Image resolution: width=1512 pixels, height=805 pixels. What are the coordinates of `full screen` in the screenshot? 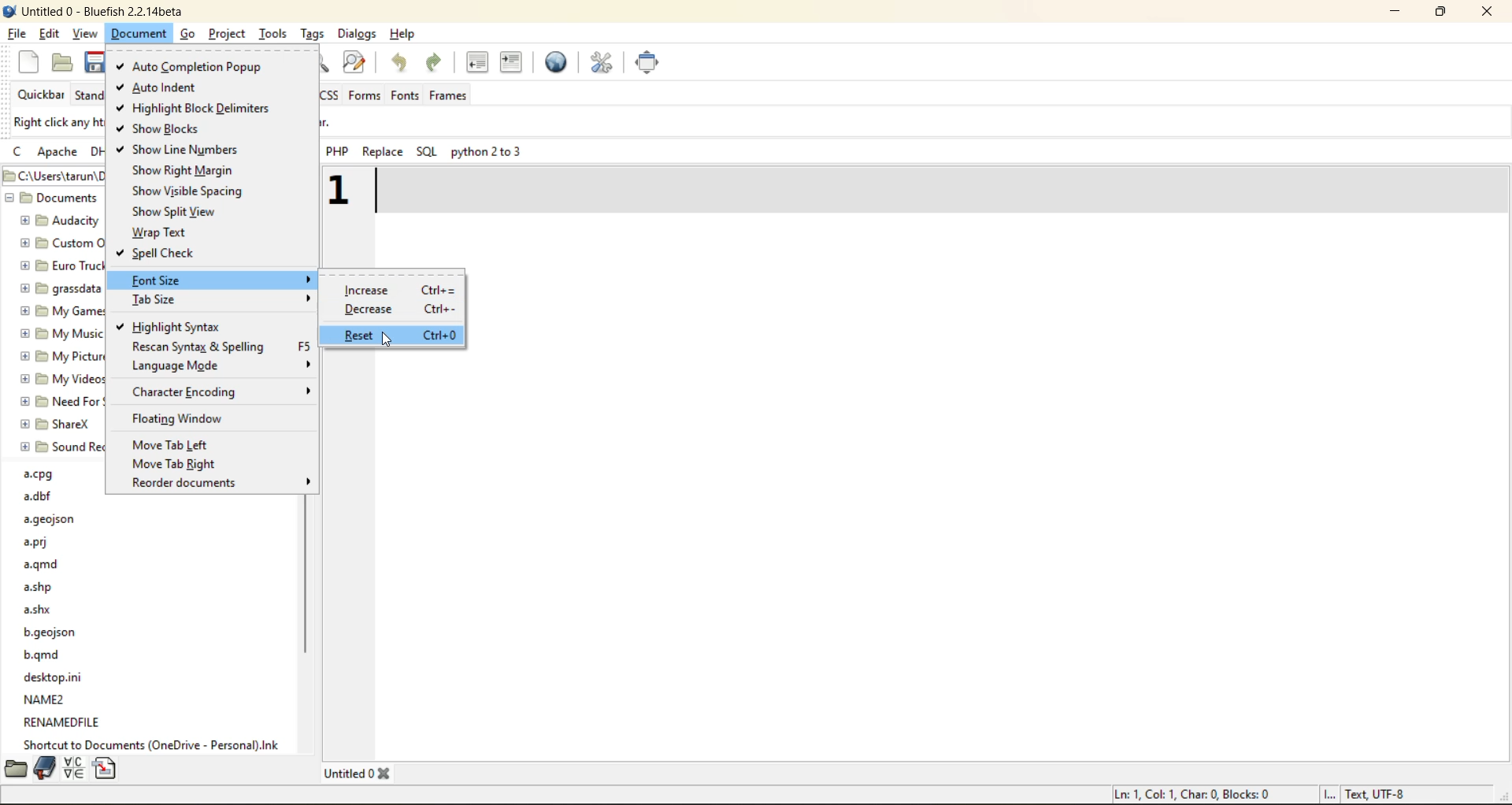 It's located at (655, 61).